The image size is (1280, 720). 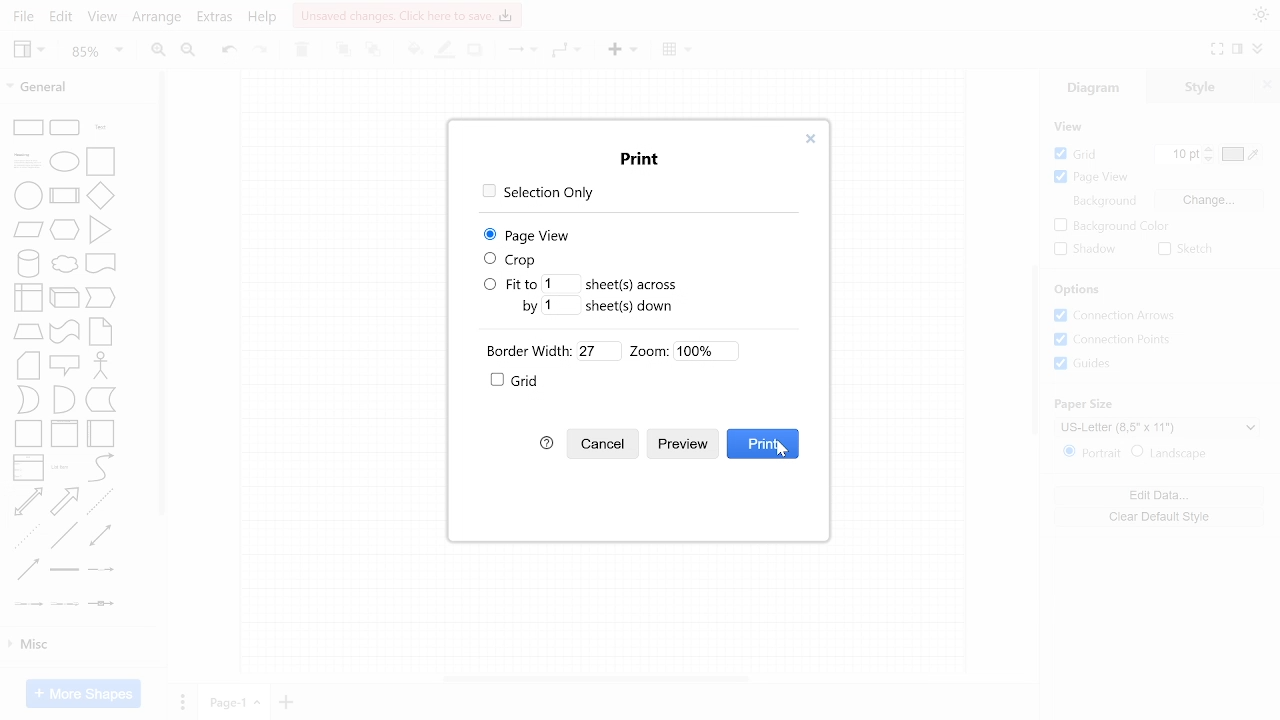 I want to click on To front, so click(x=342, y=49).